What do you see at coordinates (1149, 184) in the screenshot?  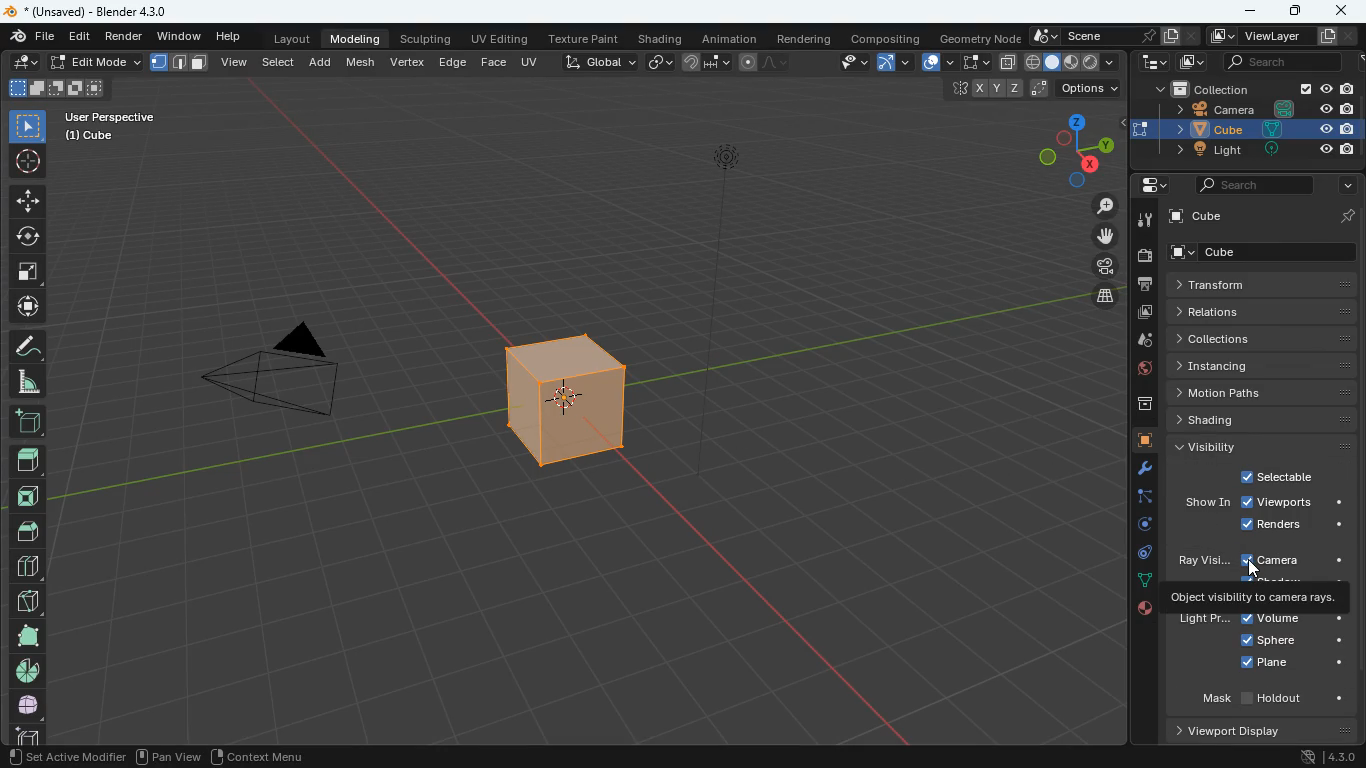 I see `settings` at bounding box center [1149, 184].